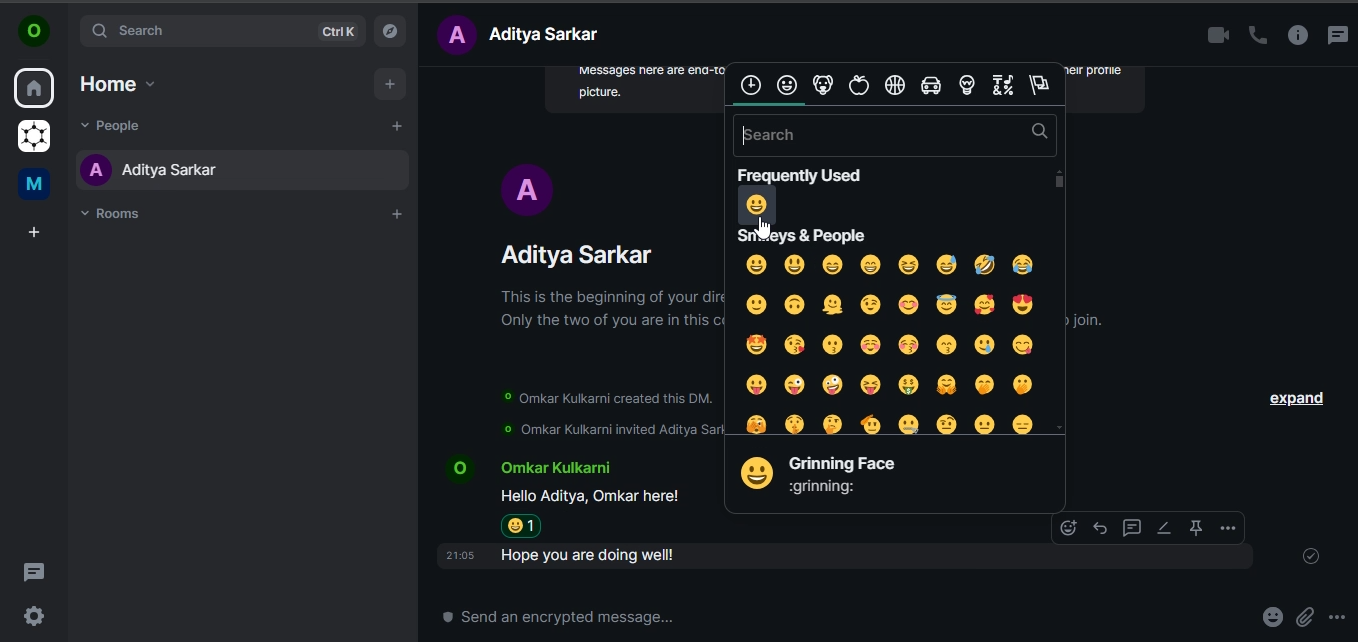 The image size is (1358, 642). Describe the element at coordinates (750, 85) in the screenshot. I see `frequently used` at that location.